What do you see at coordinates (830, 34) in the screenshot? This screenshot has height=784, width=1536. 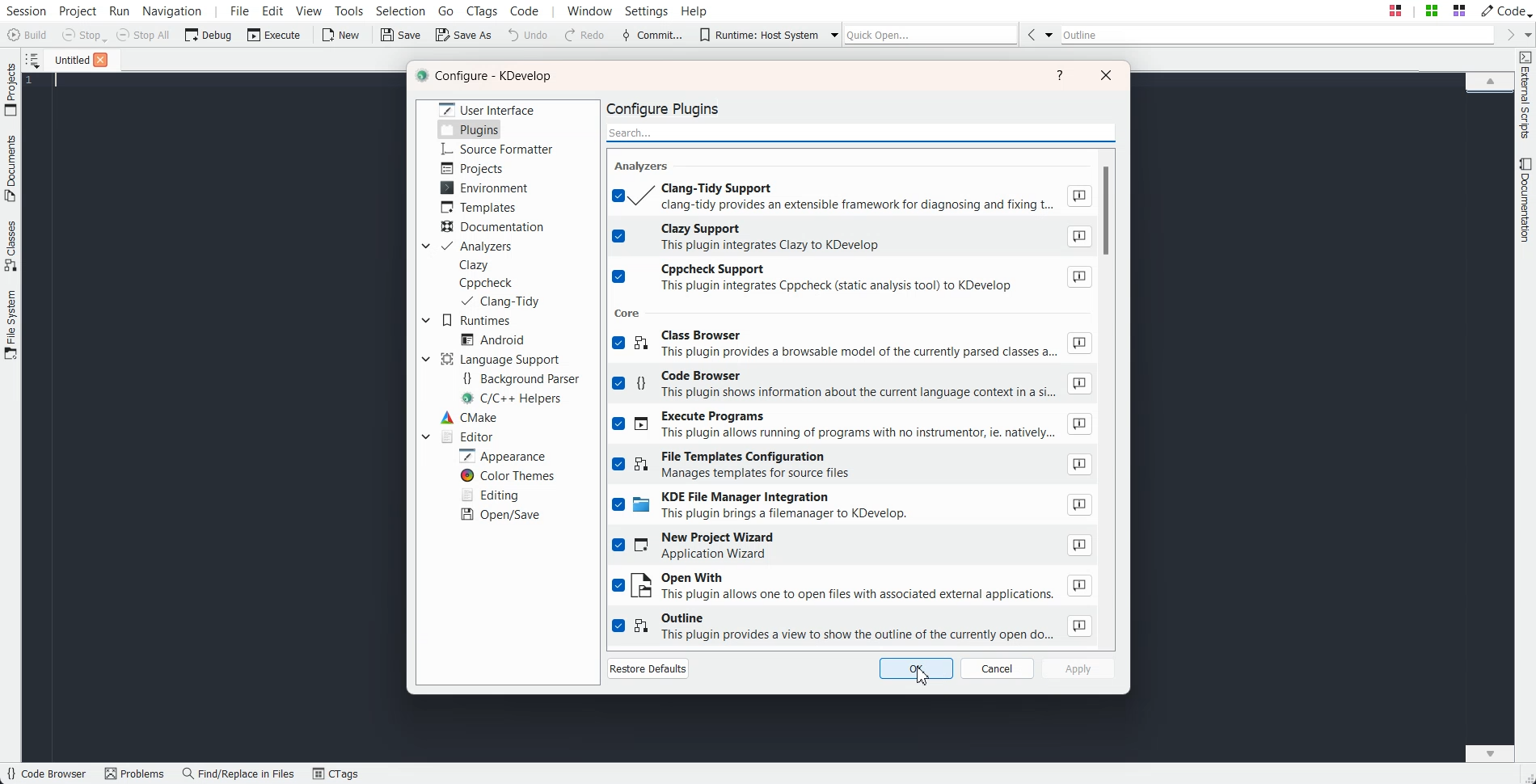 I see `Drop down box` at bounding box center [830, 34].